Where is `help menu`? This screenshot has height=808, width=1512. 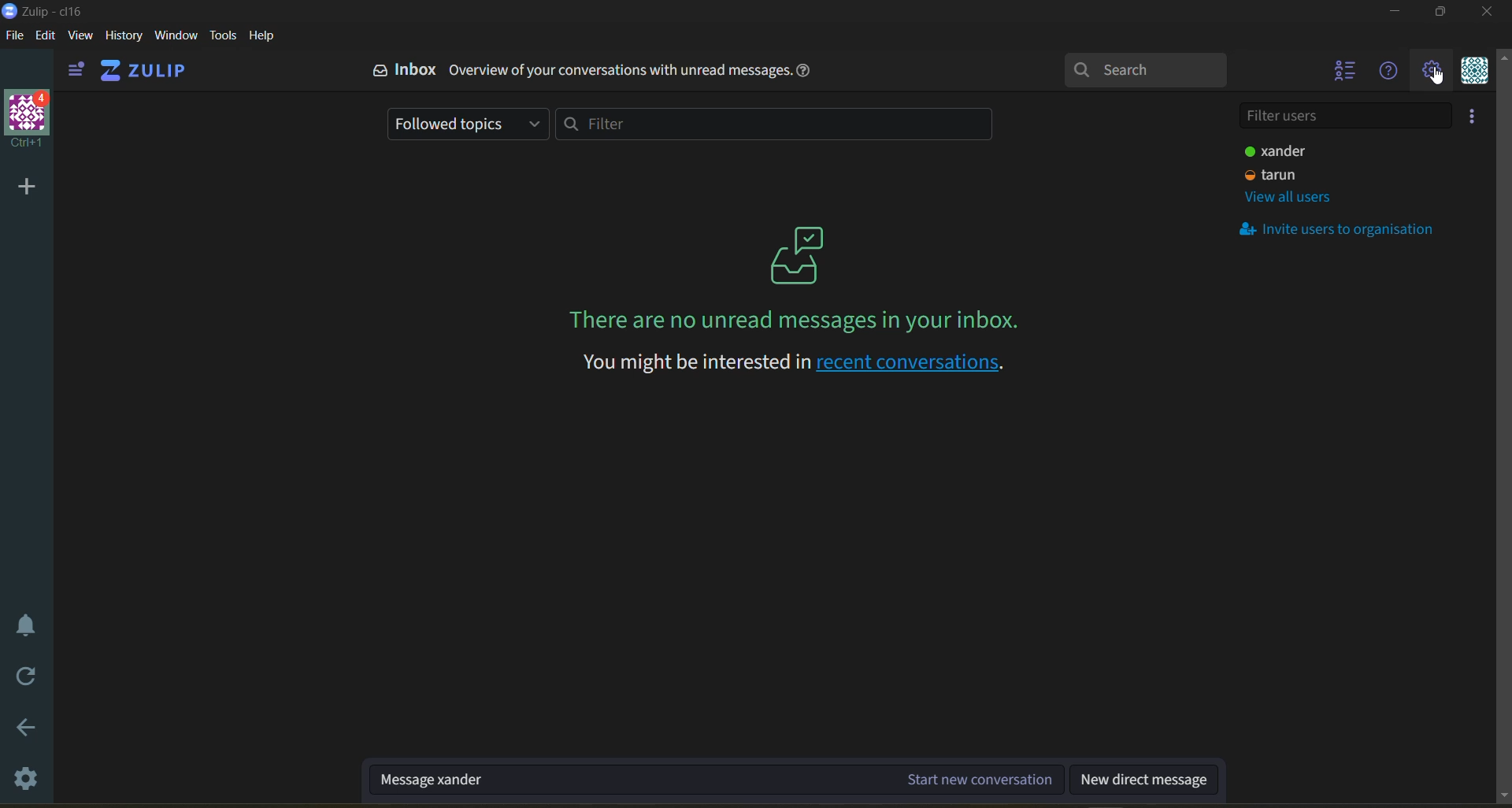 help menu is located at coordinates (1390, 72).